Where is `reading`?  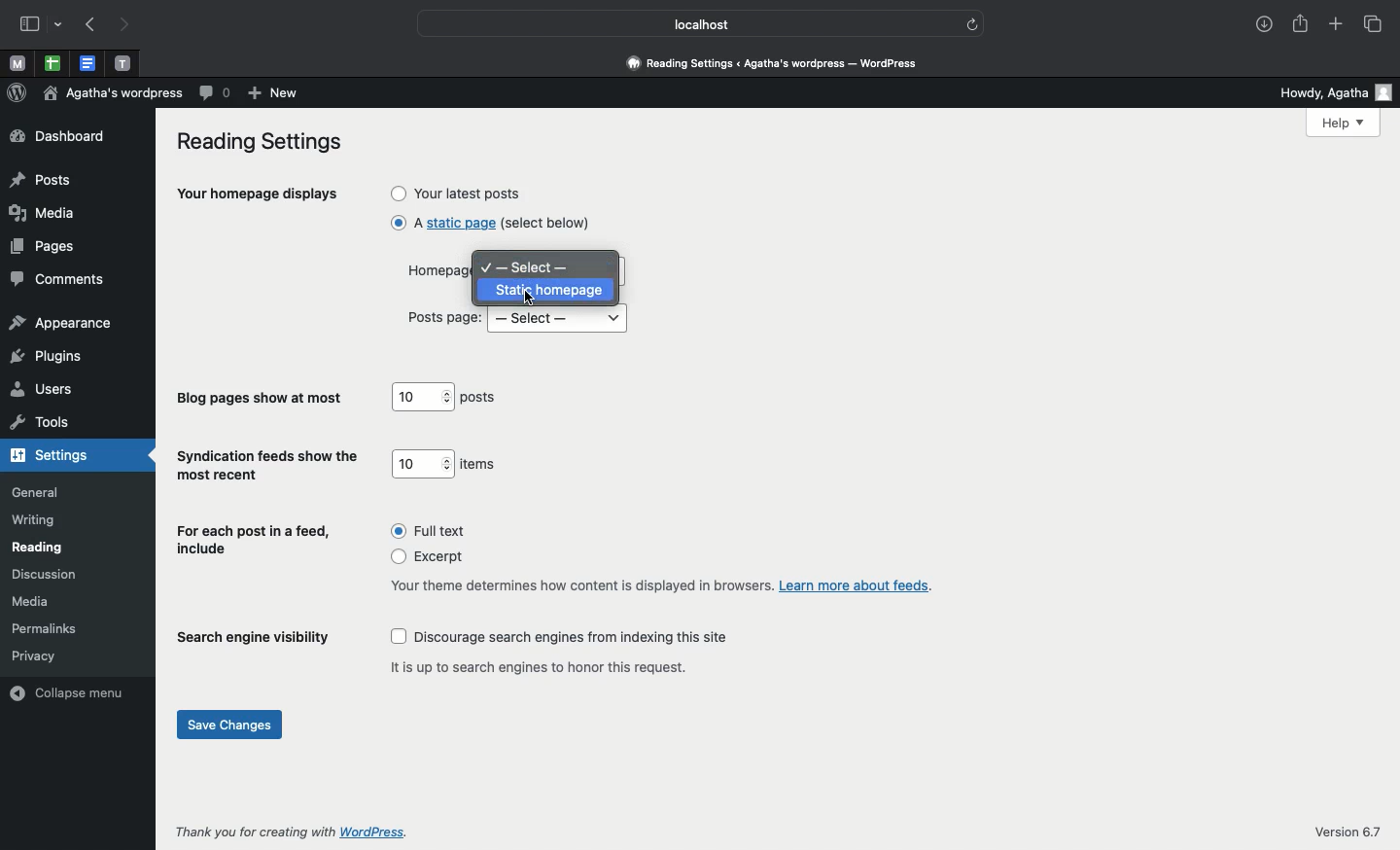 reading is located at coordinates (39, 548).